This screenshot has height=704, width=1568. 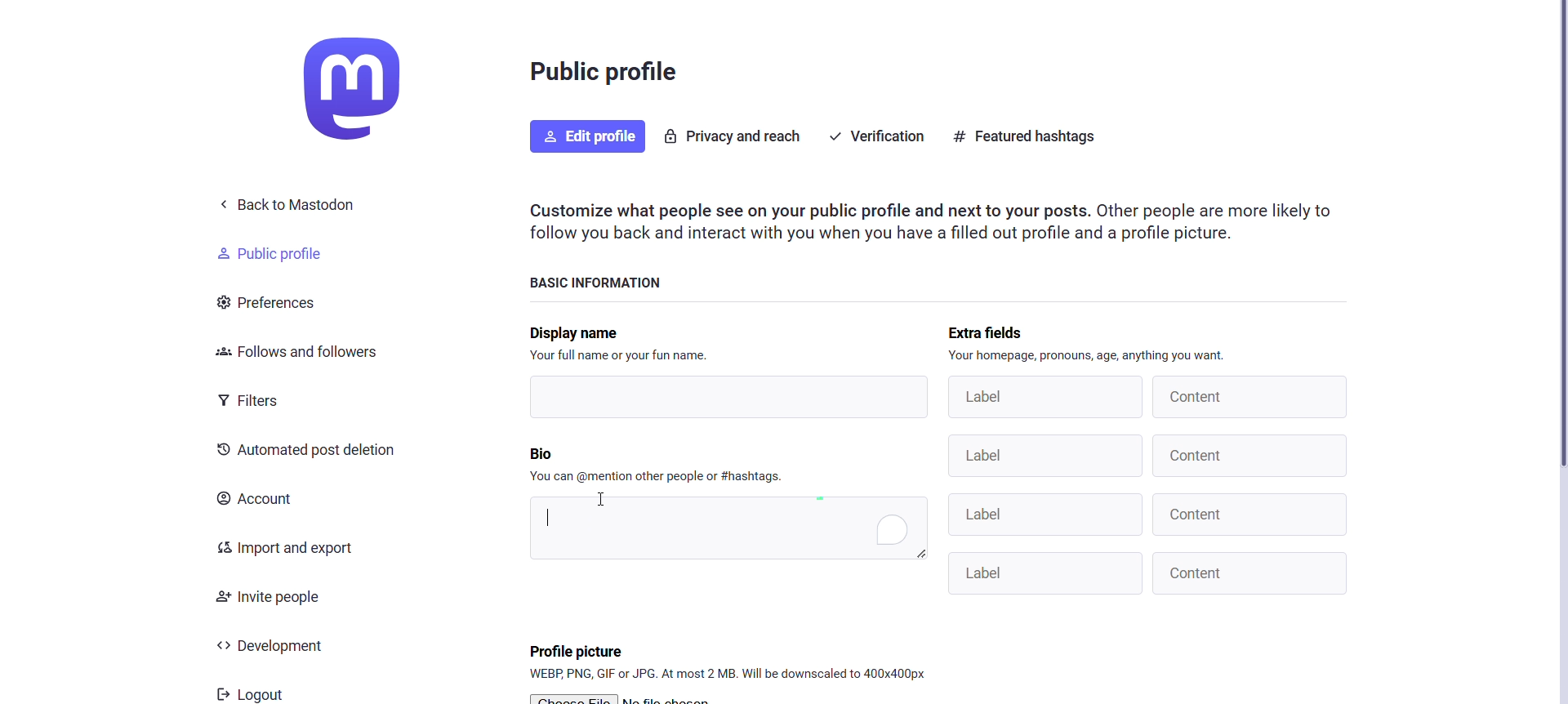 What do you see at coordinates (1253, 455) in the screenshot?
I see `content` at bounding box center [1253, 455].